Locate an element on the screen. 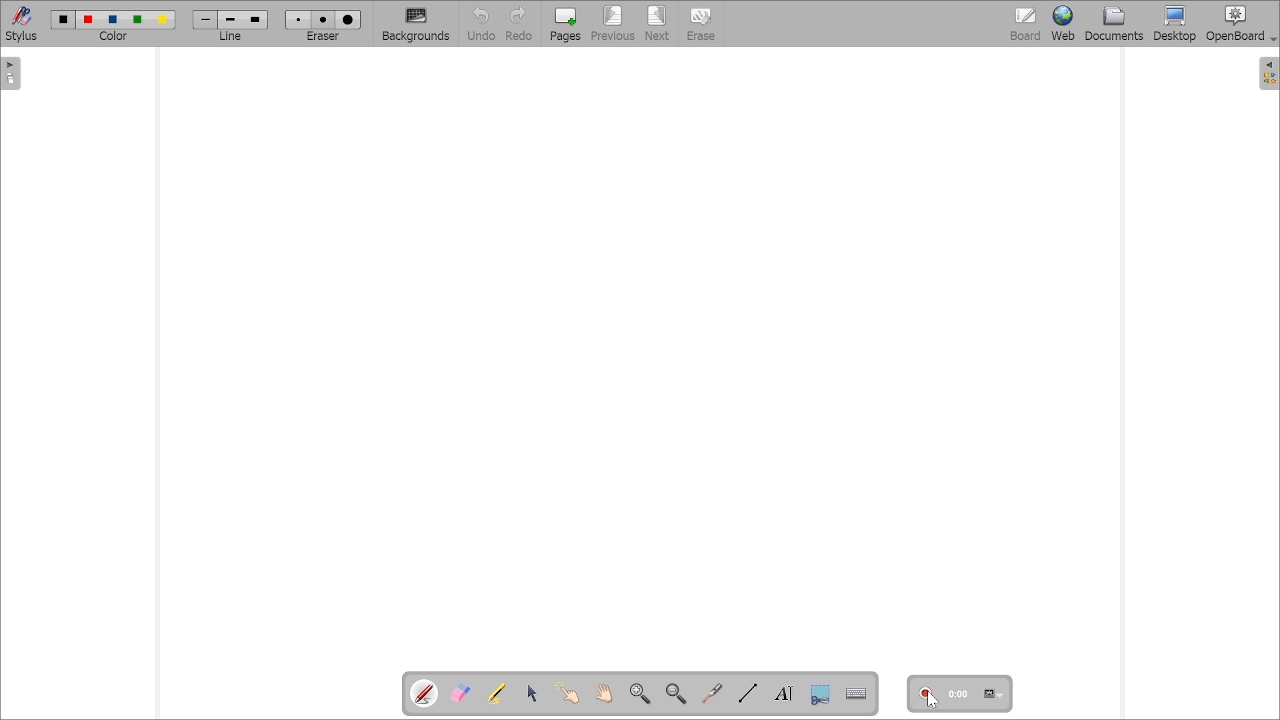  Annotate document is located at coordinates (423, 694).